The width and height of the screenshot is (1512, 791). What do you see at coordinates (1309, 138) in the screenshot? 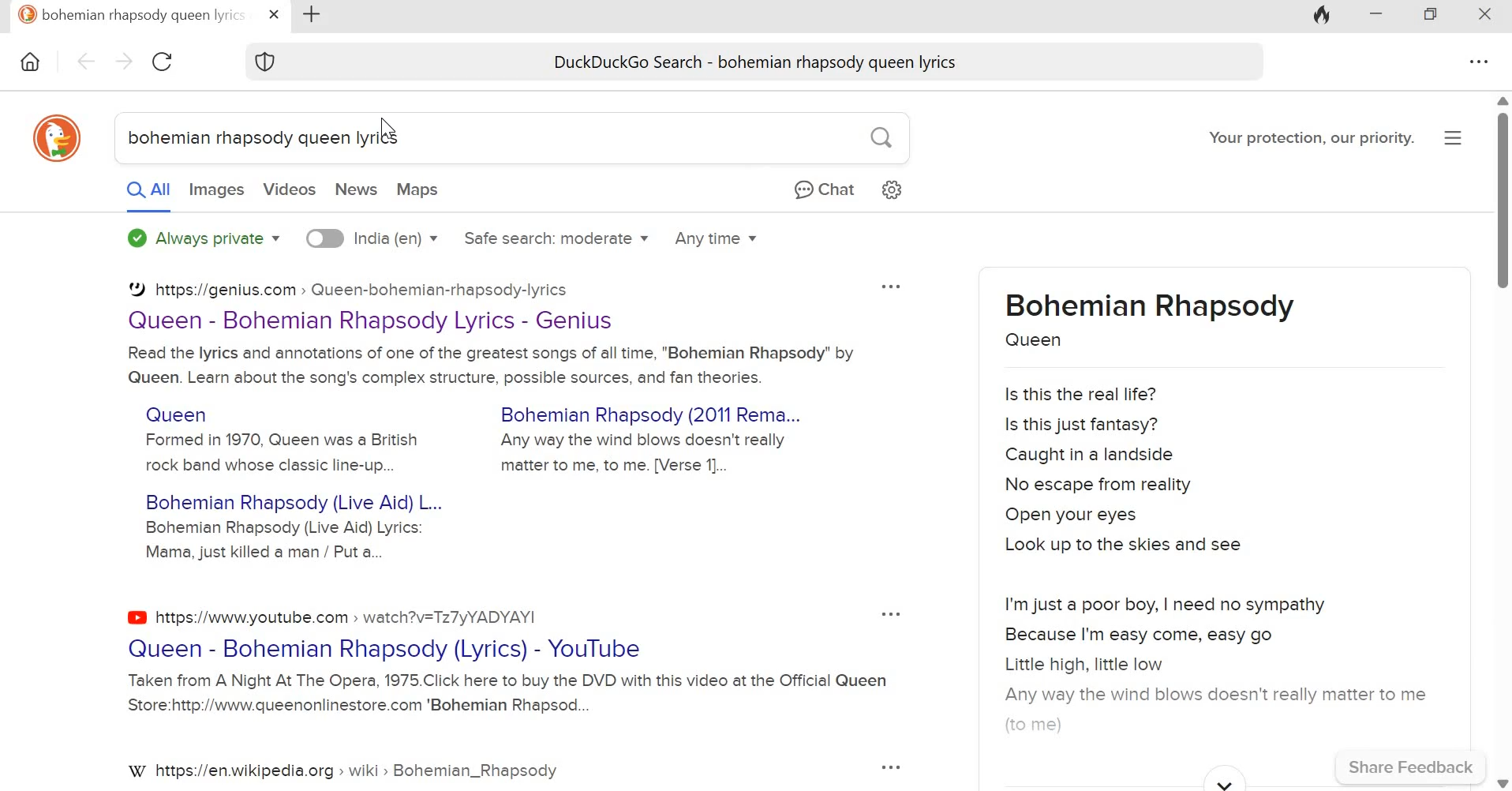
I see `Your protection, our priority.` at bounding box center [1309, 138].